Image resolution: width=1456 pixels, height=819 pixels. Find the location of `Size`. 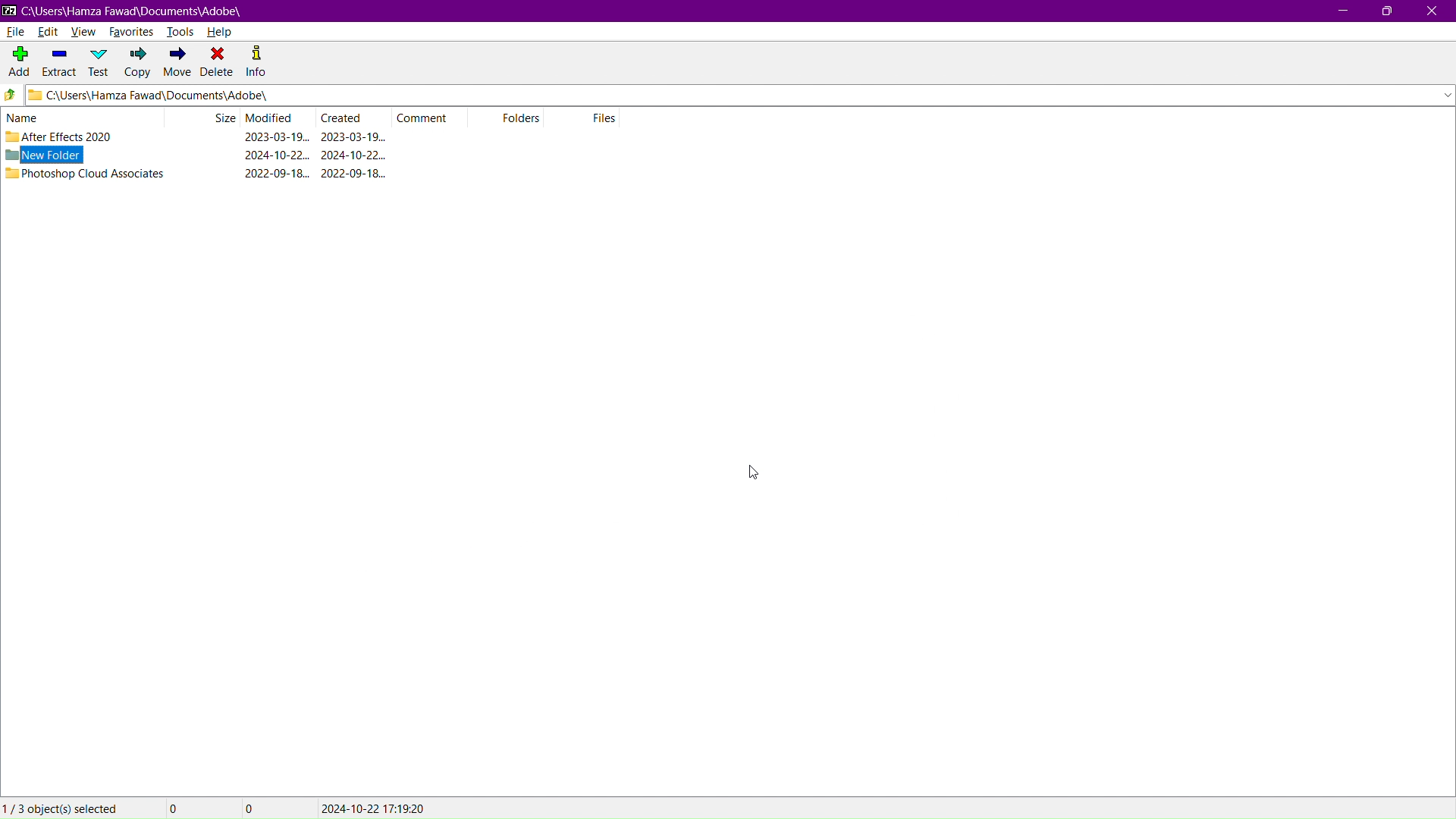

Size is located at coordinates (224, 118).